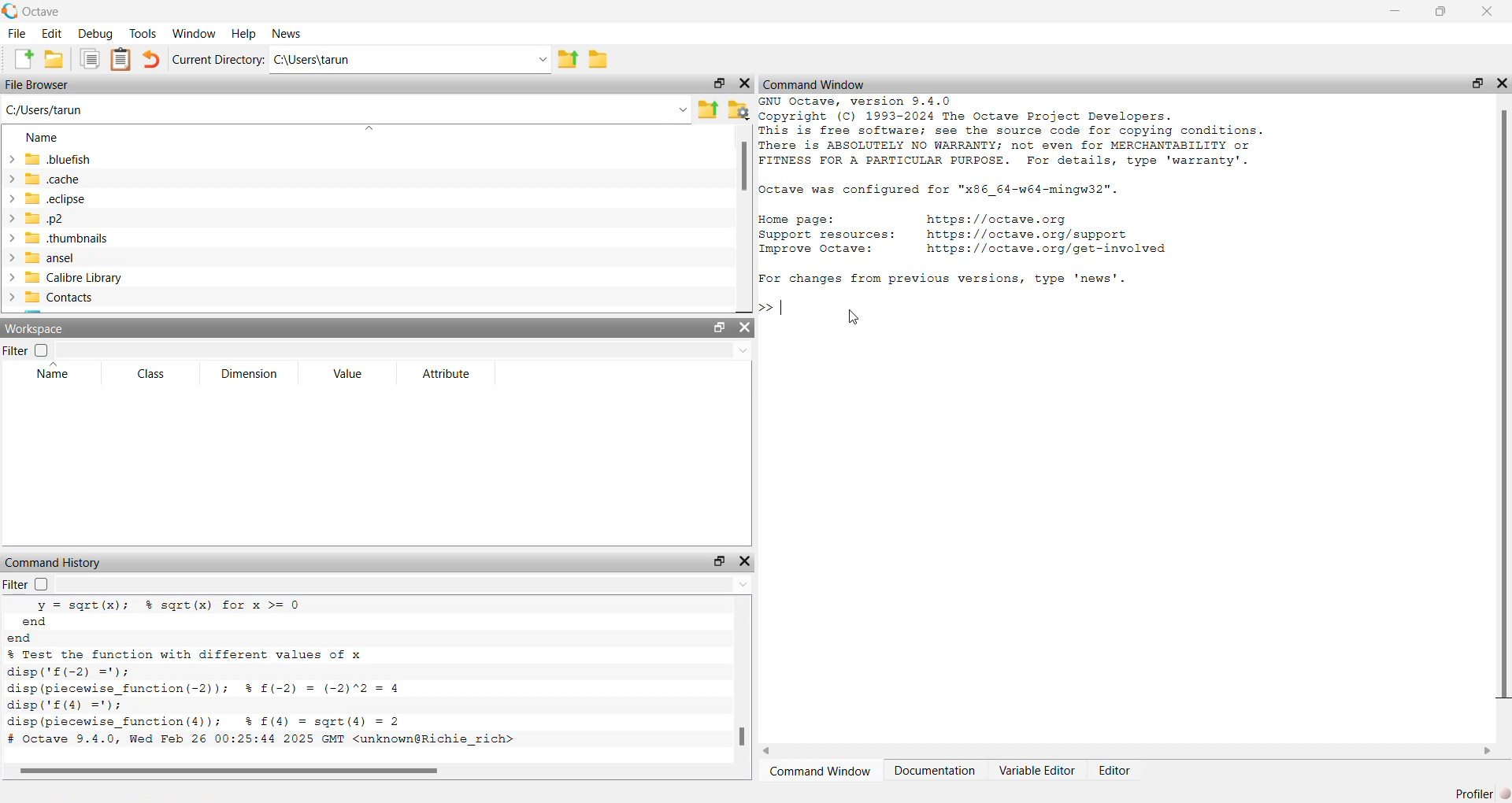  Describe the element at coordinates (1441, 13) in the screenshot. I see `Maximize/Restore` at that location.